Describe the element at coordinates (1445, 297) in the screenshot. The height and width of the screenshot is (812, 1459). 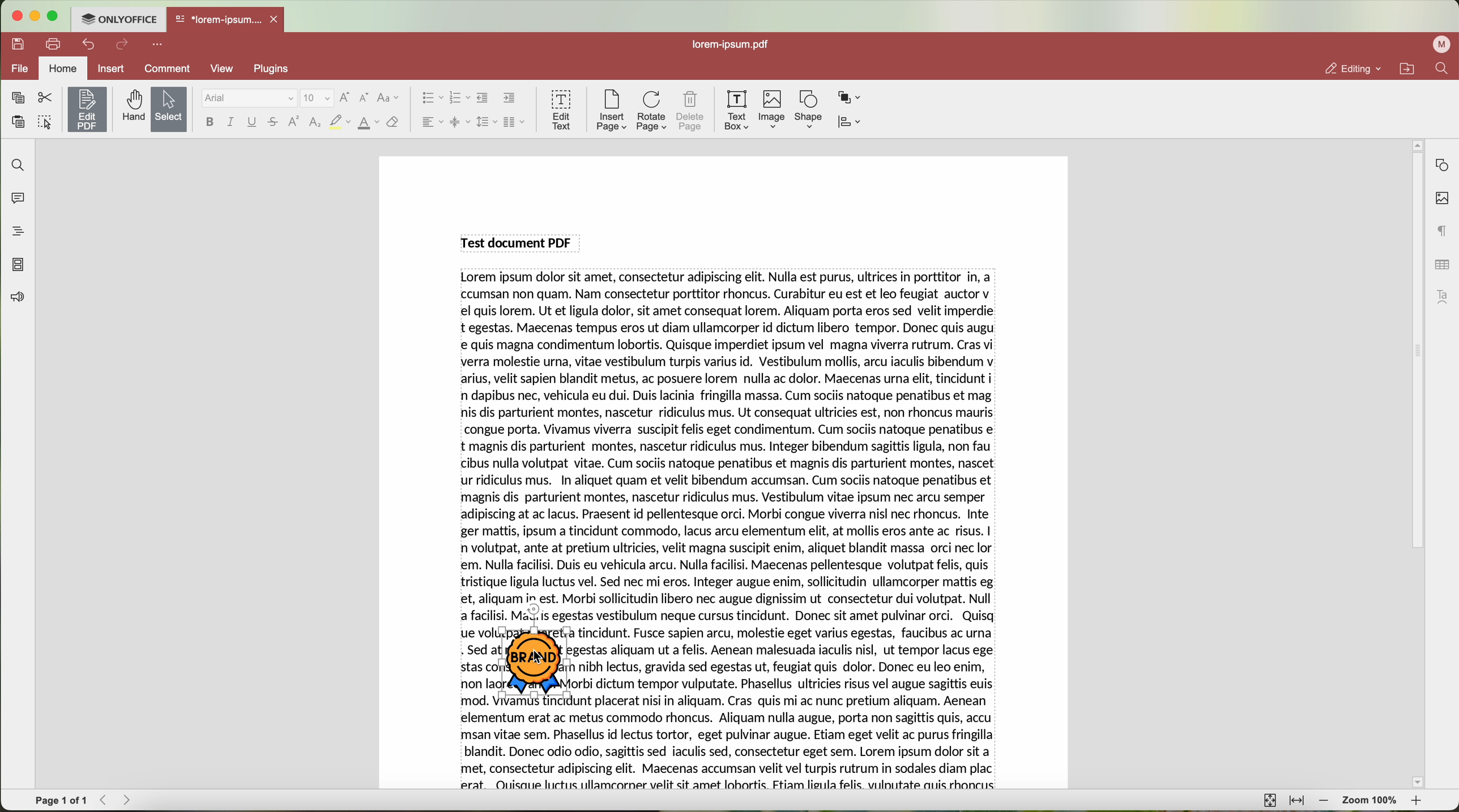
I see `text art settings` at that location.